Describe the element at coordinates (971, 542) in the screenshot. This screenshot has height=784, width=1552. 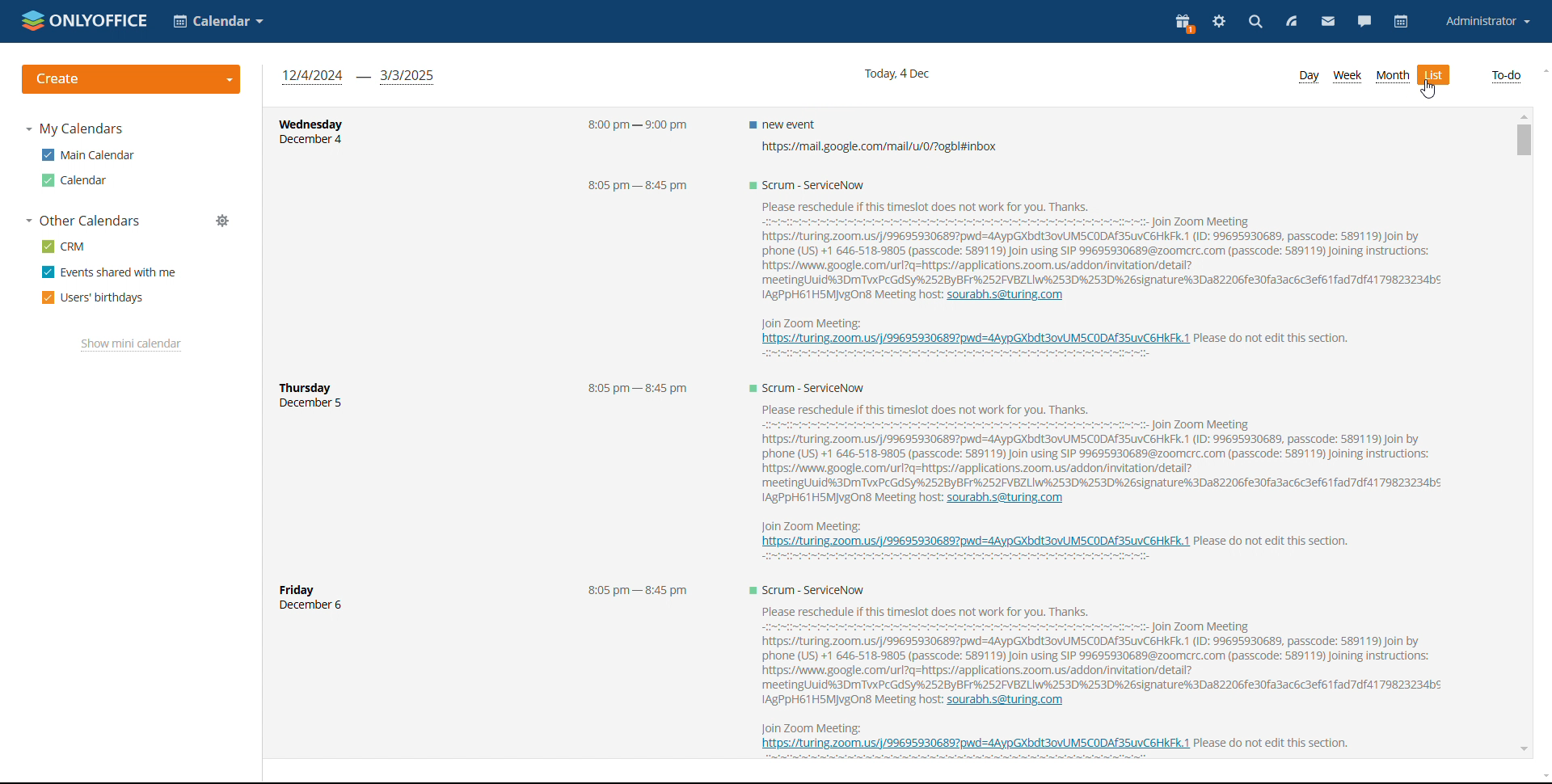
I see `bttps:/turing.zoom.us/)/99695930689?pwd=4AypGXbdt3ovUMSCODAF3SUVCEHKFK,` at that location.